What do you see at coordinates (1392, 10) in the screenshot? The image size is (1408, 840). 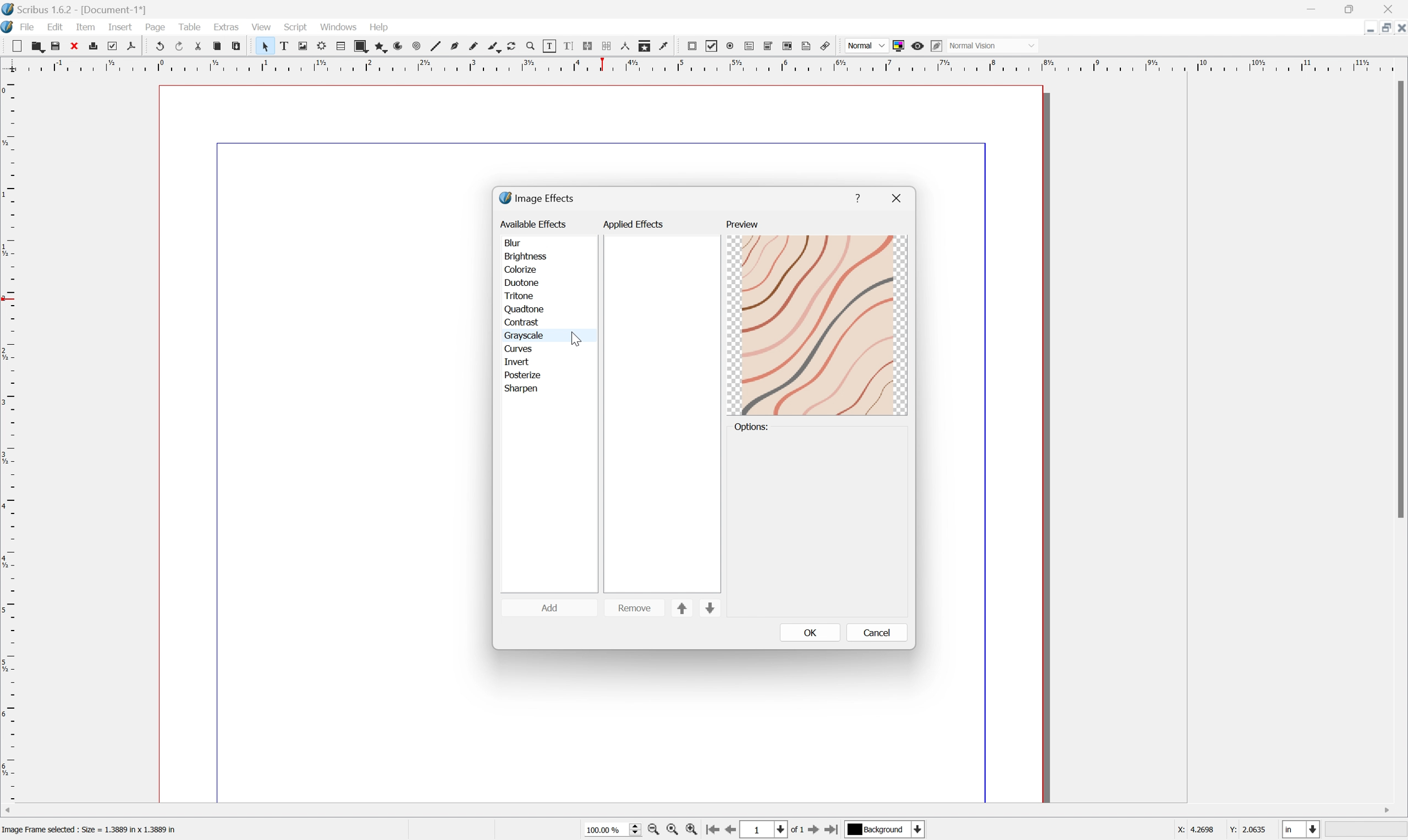 I see `Close` at bounding box center [1392, 10].